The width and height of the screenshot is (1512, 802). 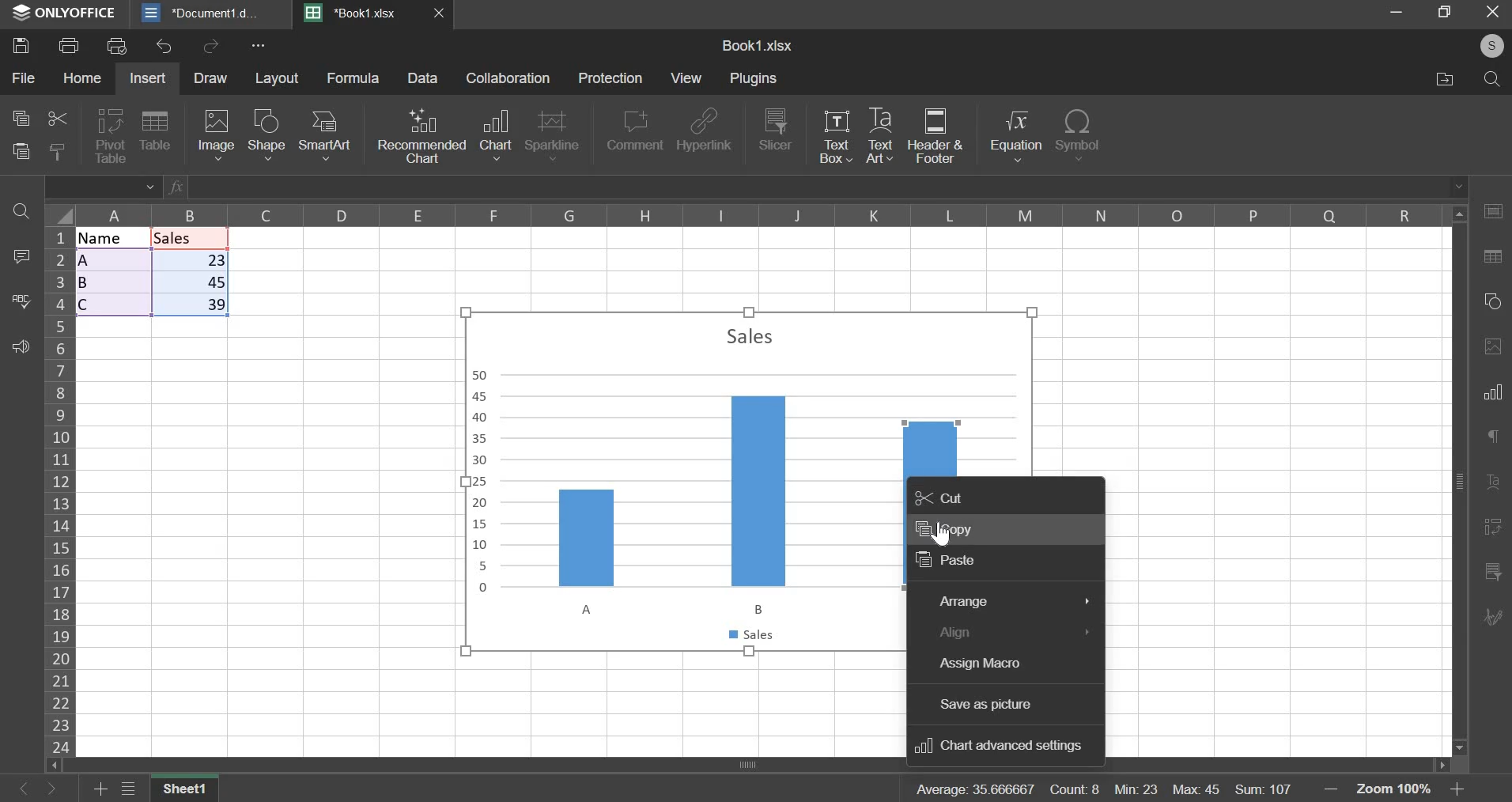 I want to click on chart, so click(x=495, y=134).